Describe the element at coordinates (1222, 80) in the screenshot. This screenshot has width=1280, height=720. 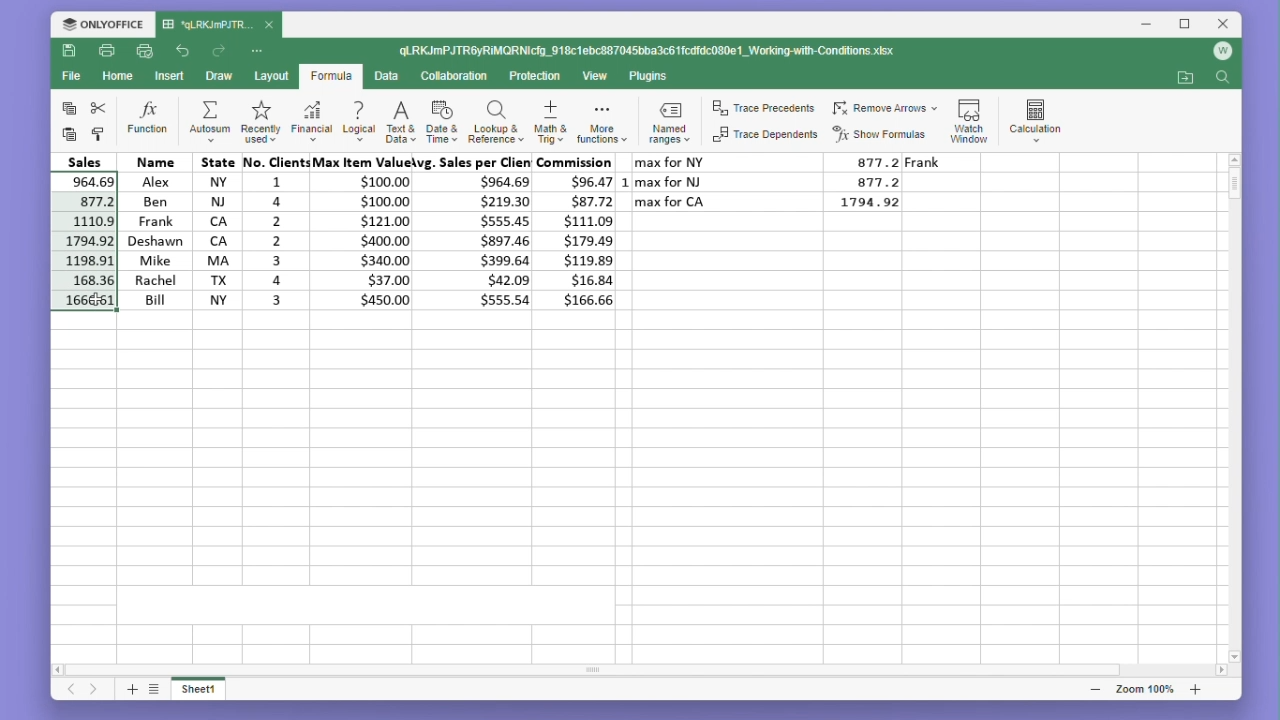
I see `Find` at that location.